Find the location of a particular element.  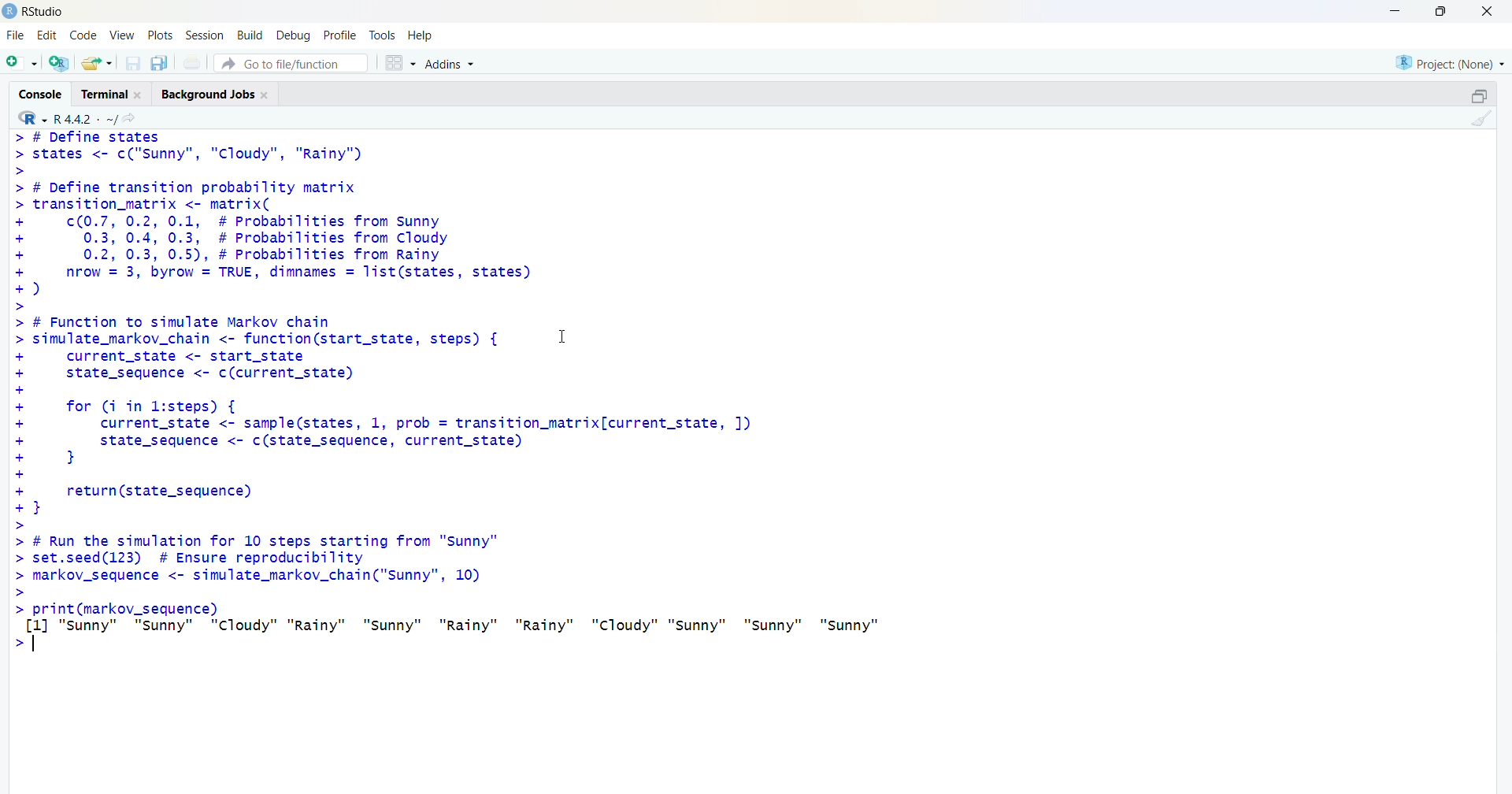

edit is located at coordinates (48, 33).